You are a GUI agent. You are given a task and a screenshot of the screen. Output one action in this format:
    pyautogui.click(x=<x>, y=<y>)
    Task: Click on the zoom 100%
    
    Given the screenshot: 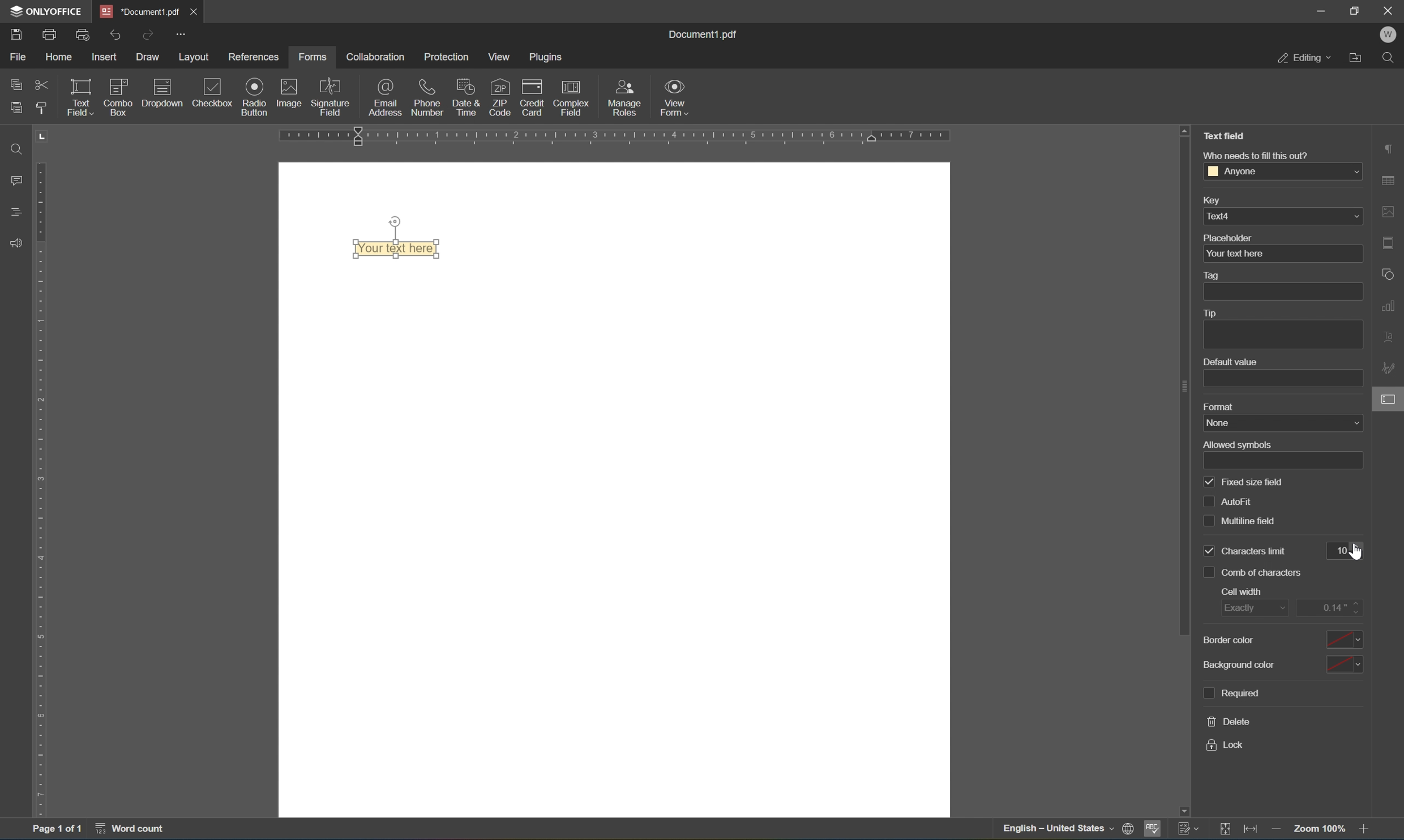 What is the action you would take?
    pyautogui.click(x=1319, y=830)
    